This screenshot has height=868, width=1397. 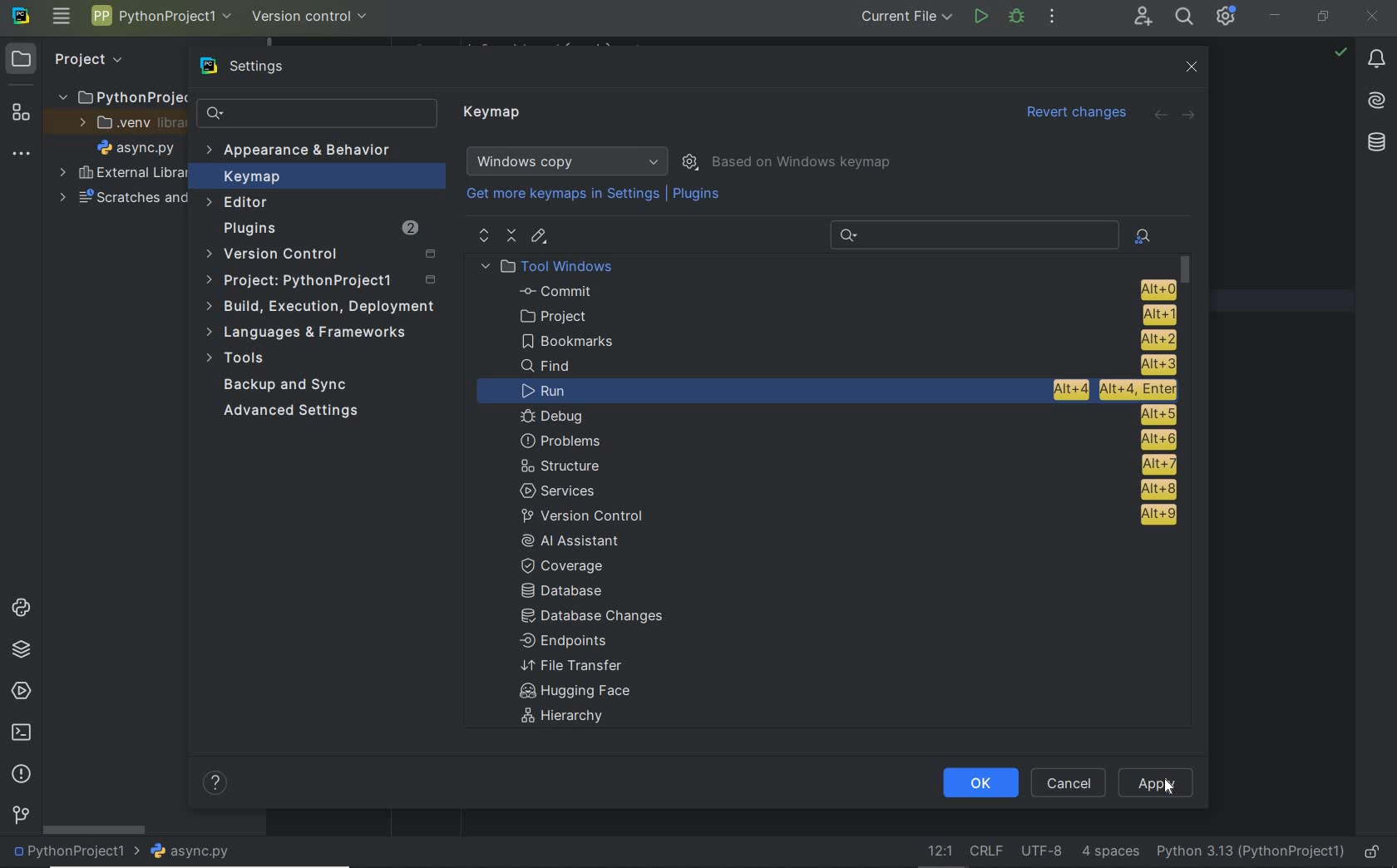 What do you see at coordinates (317, 113) in the screenshot?
I see `search settings` at bounding box center [317, 113].